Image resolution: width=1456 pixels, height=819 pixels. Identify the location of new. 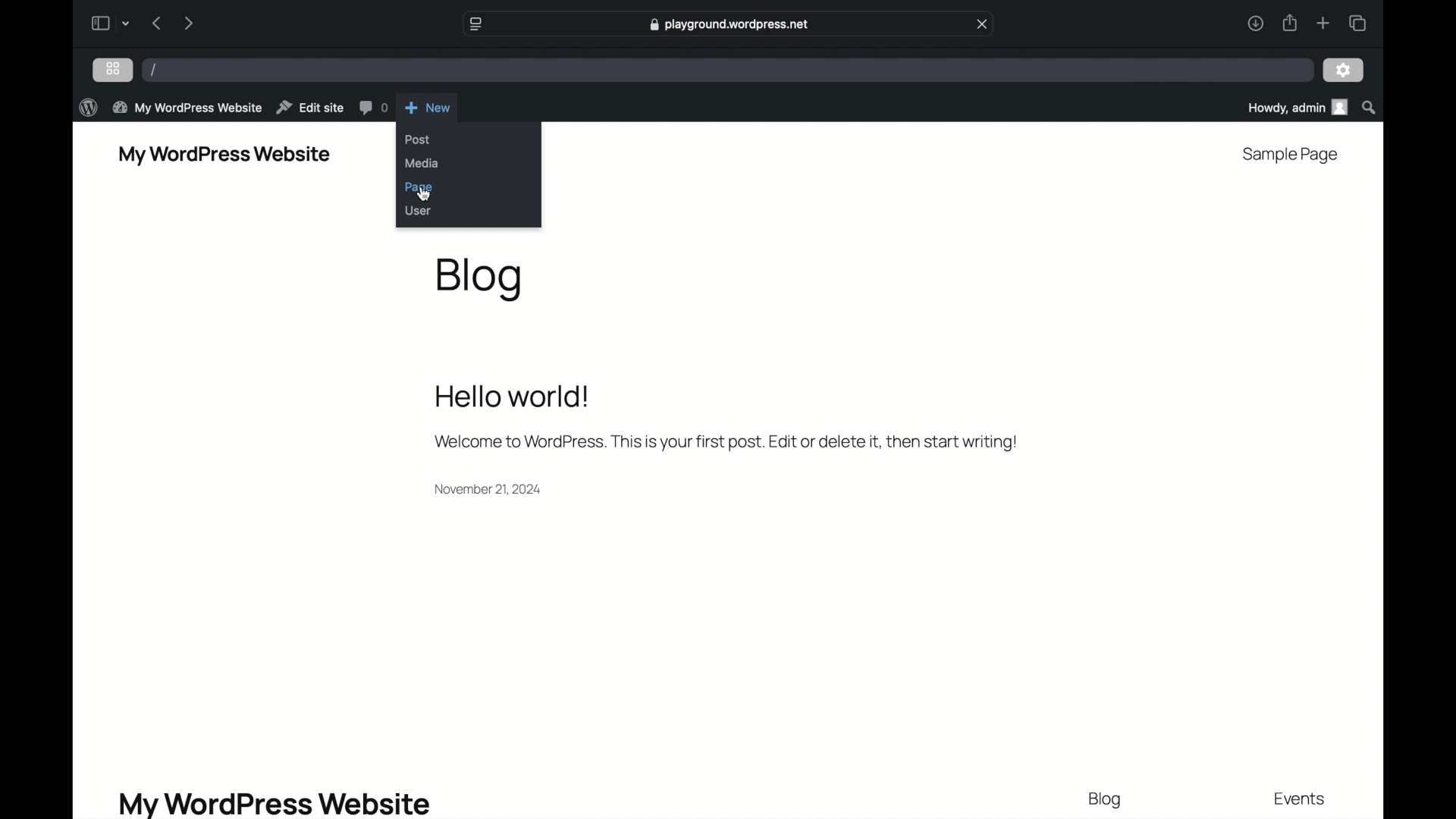
(426, 107).